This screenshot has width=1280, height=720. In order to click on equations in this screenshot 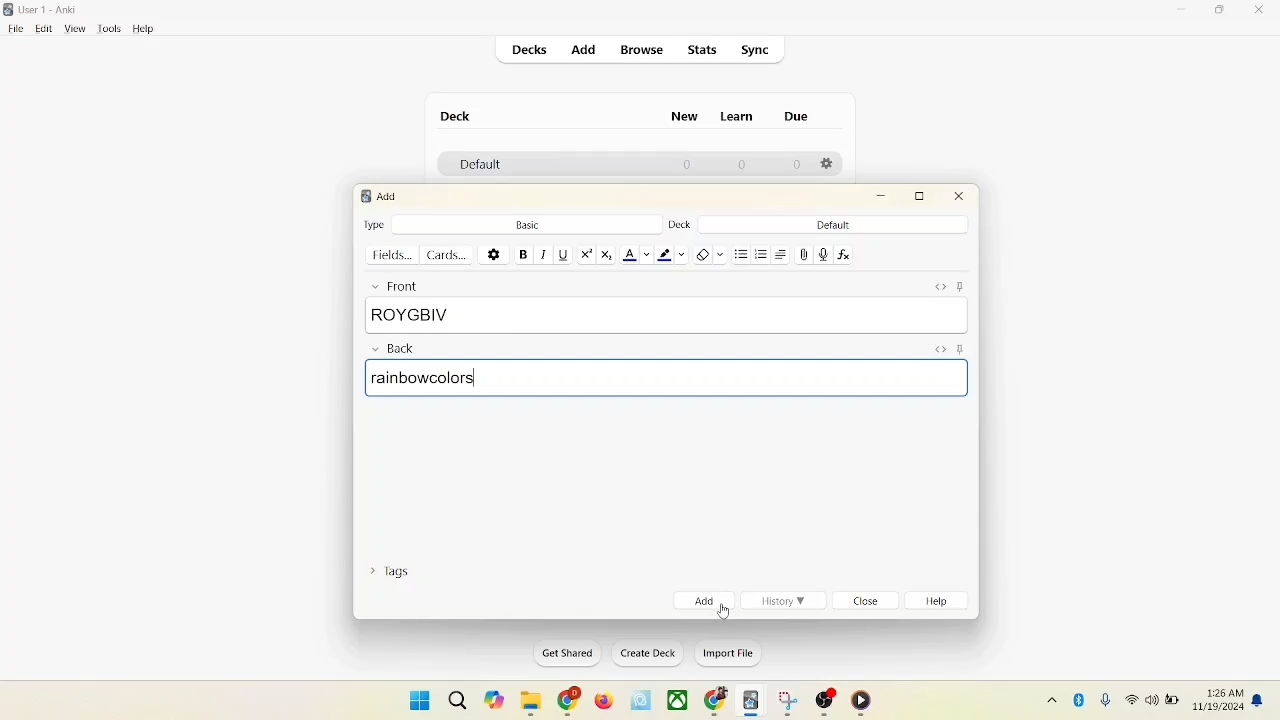, I will do `click(843, 255)`.